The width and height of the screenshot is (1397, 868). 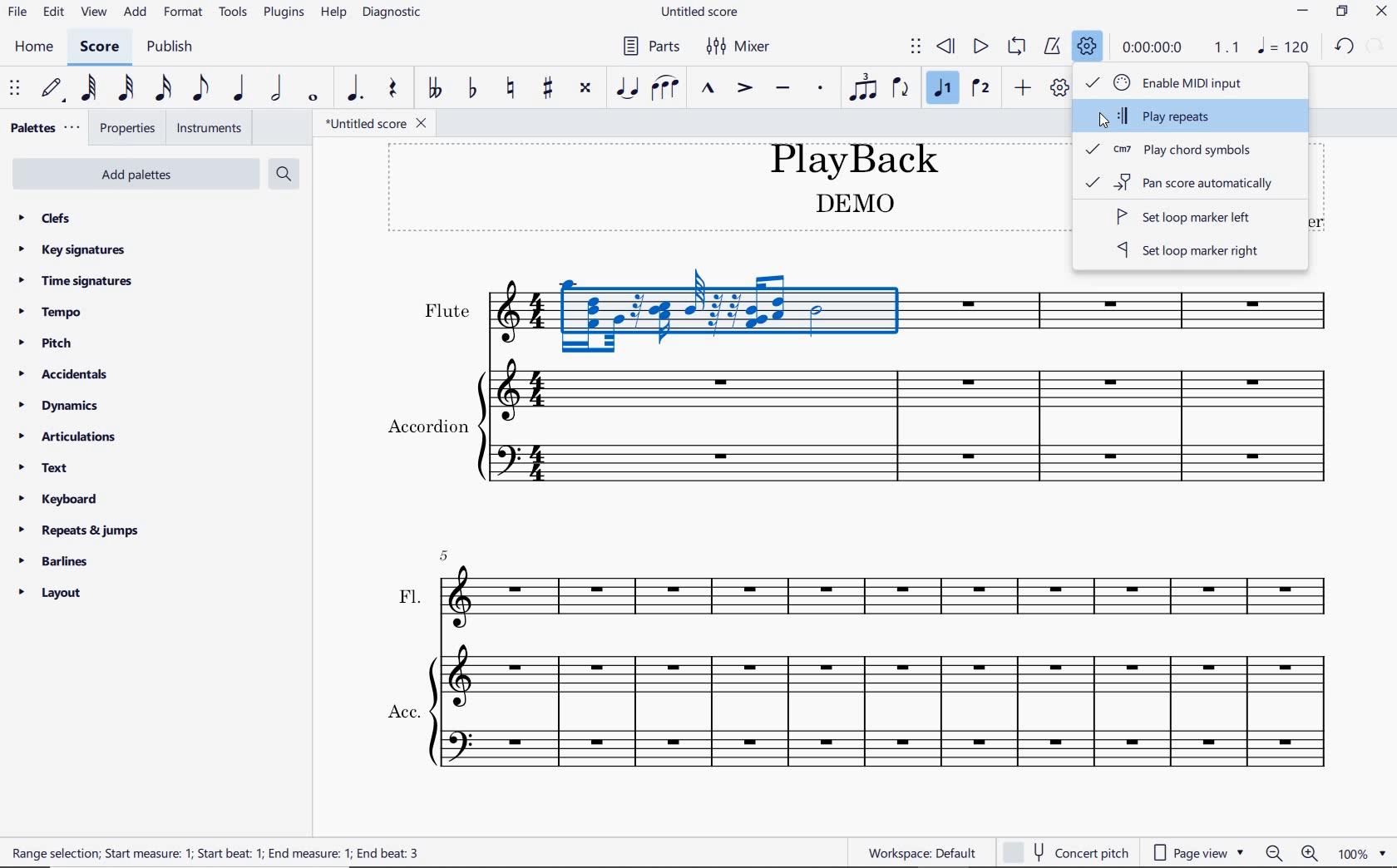 I want to click on tuplet, so click(x=861, y=86).